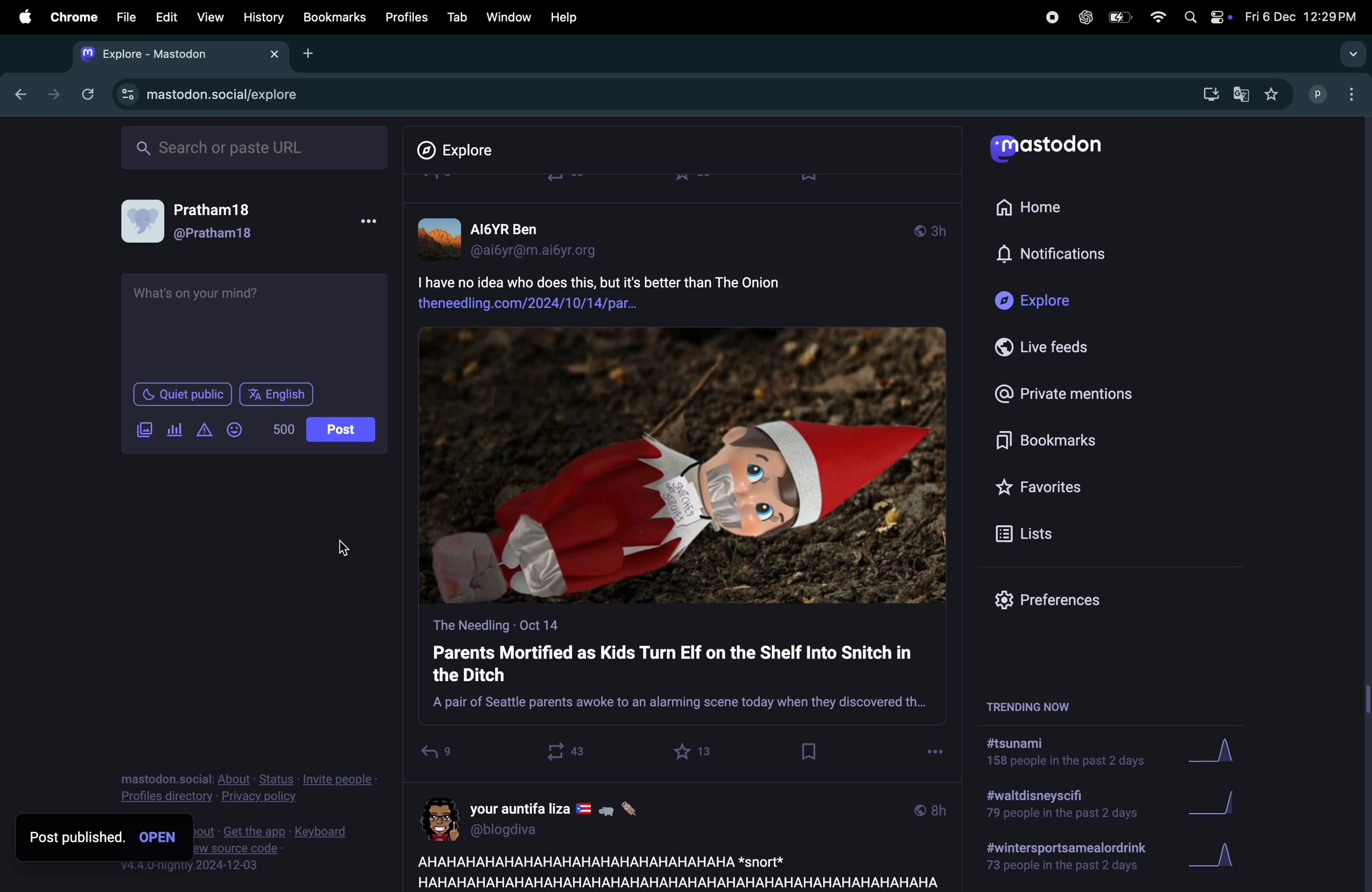  I want to click on privacy policy, so click(248, 790).